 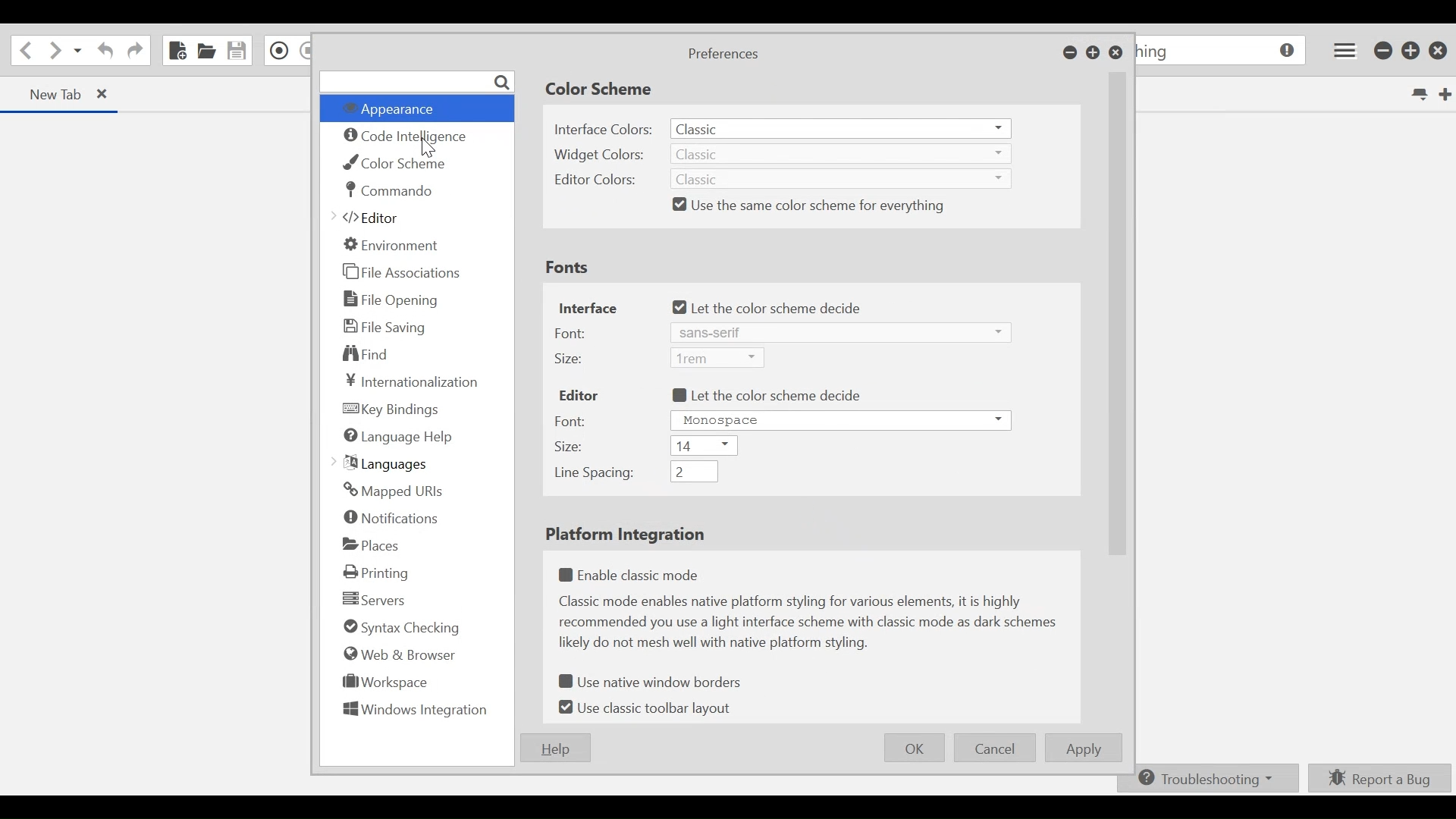 I want to click on let the color scheme decide, so click(x=767, y=396).